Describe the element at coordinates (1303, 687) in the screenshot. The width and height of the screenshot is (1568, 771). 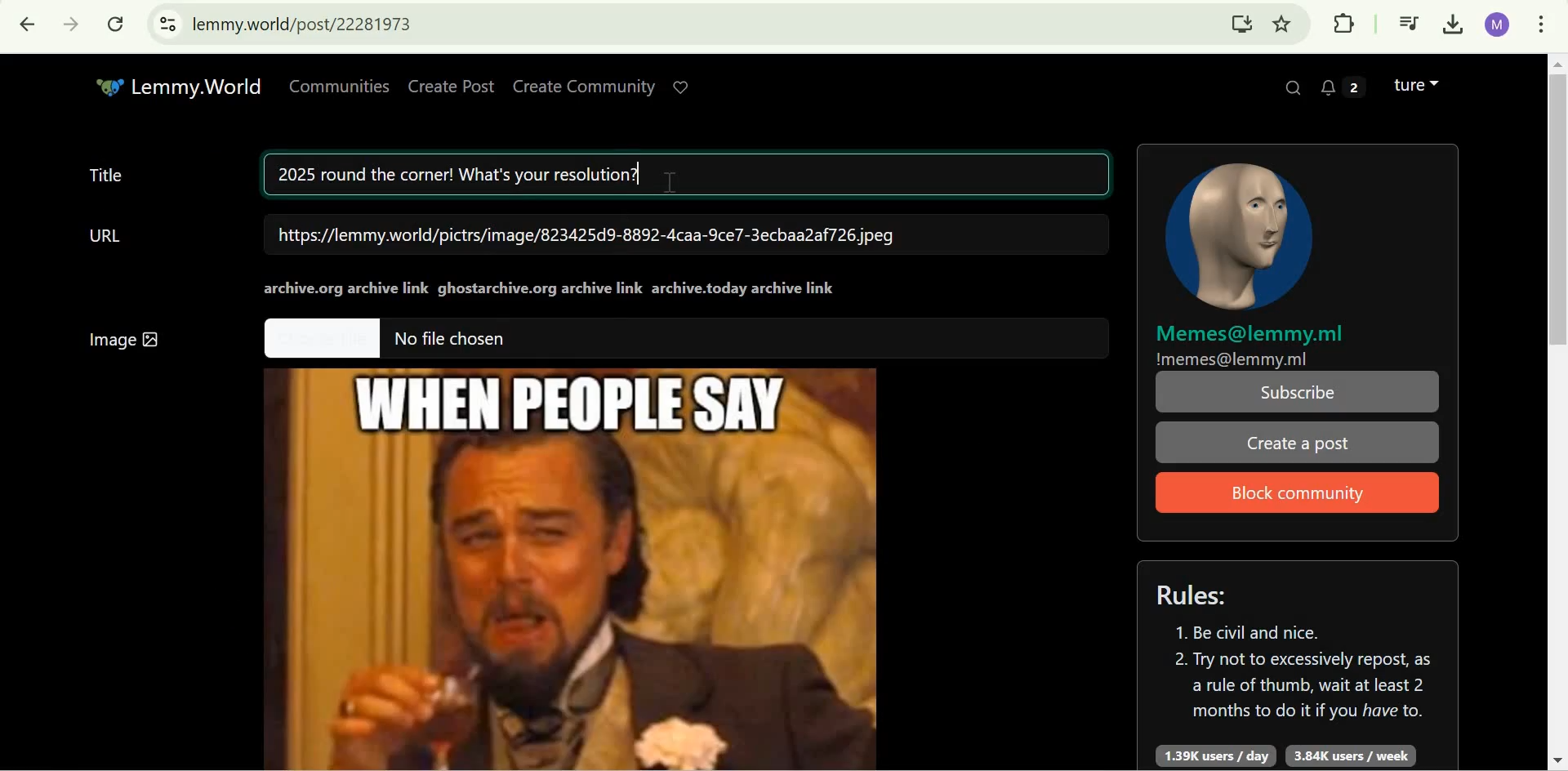
I see `2. Try not to excessively repost, as
a rule of thumb, wait at least 2
months to do it if you have to.` at that location.